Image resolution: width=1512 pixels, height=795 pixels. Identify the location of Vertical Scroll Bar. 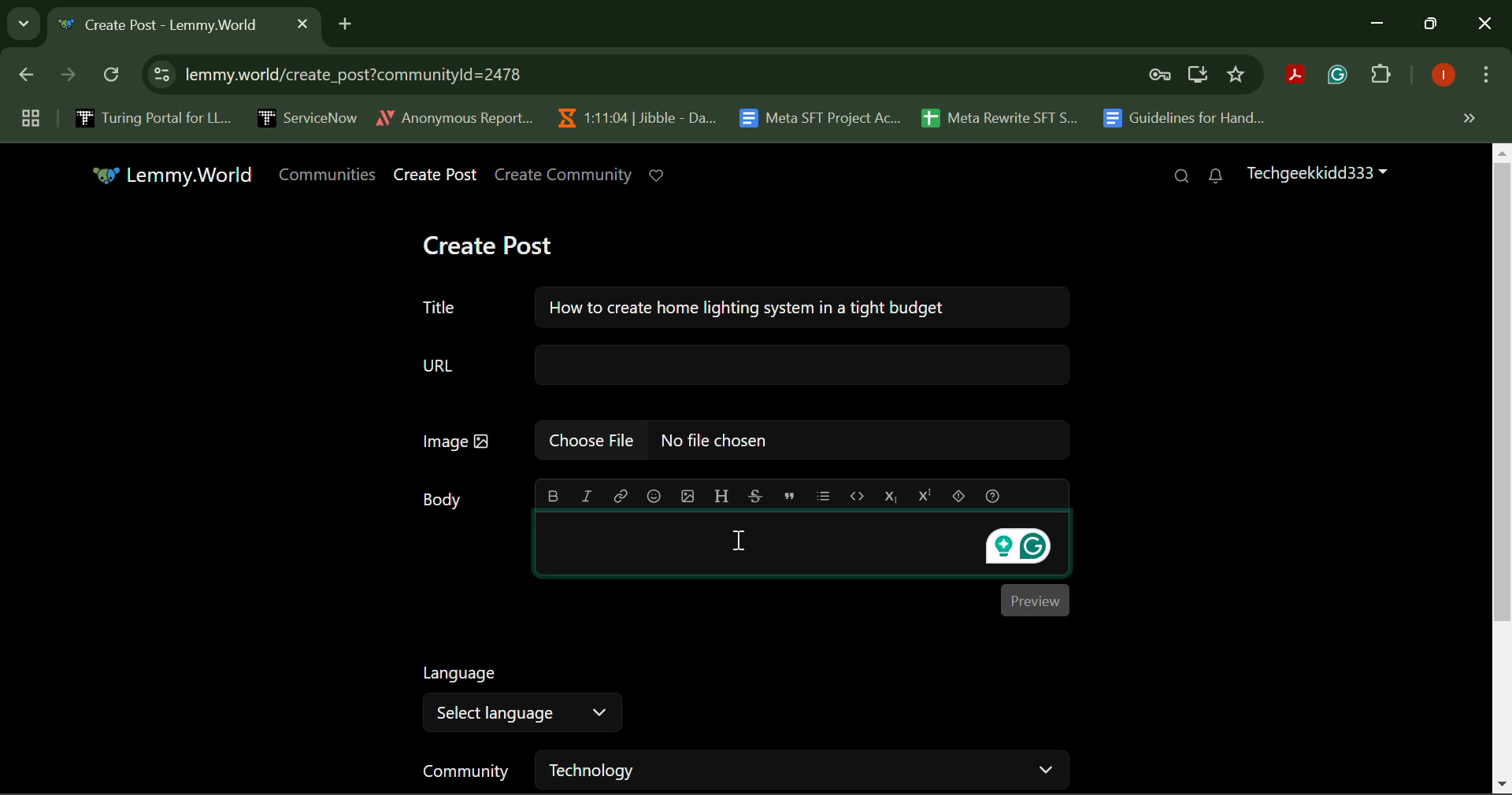
(1503, 469).